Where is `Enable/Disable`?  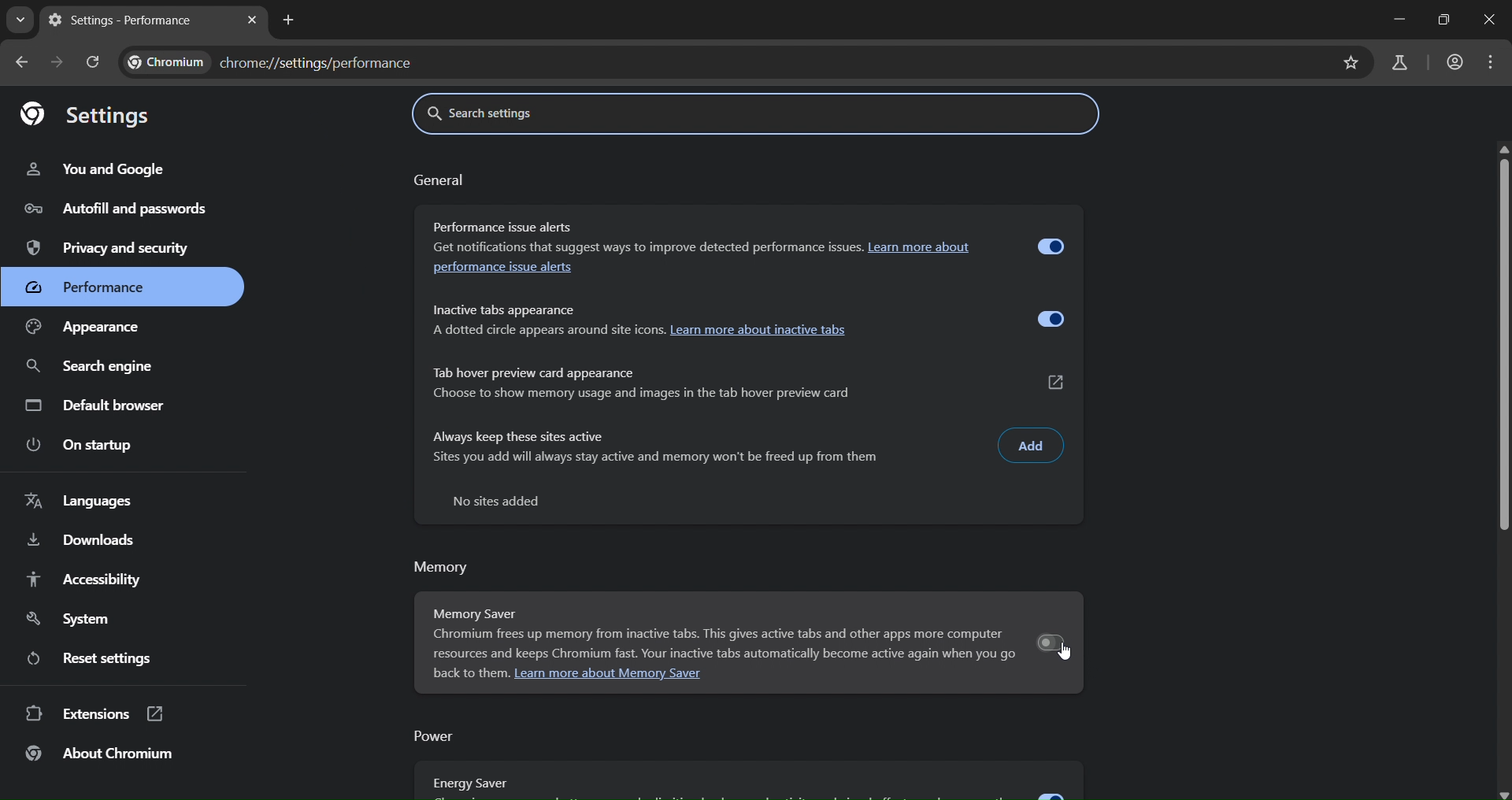 Enable/Disable is located at coordinates (1049, 243).